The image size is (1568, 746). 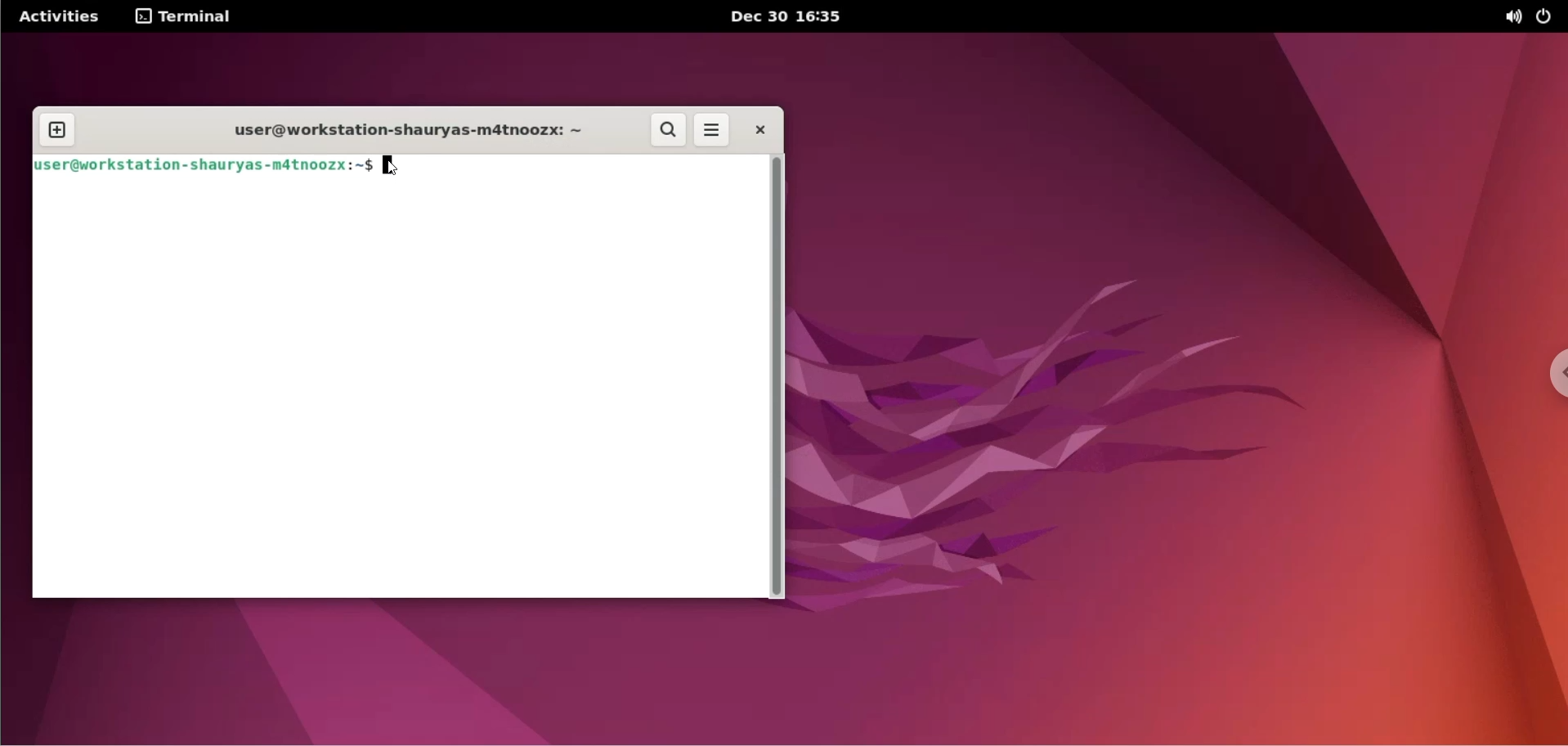 What do you see at coordinates (392, 169) in the screenshot?
I see `cursor ` at bounding box center [392, 169].